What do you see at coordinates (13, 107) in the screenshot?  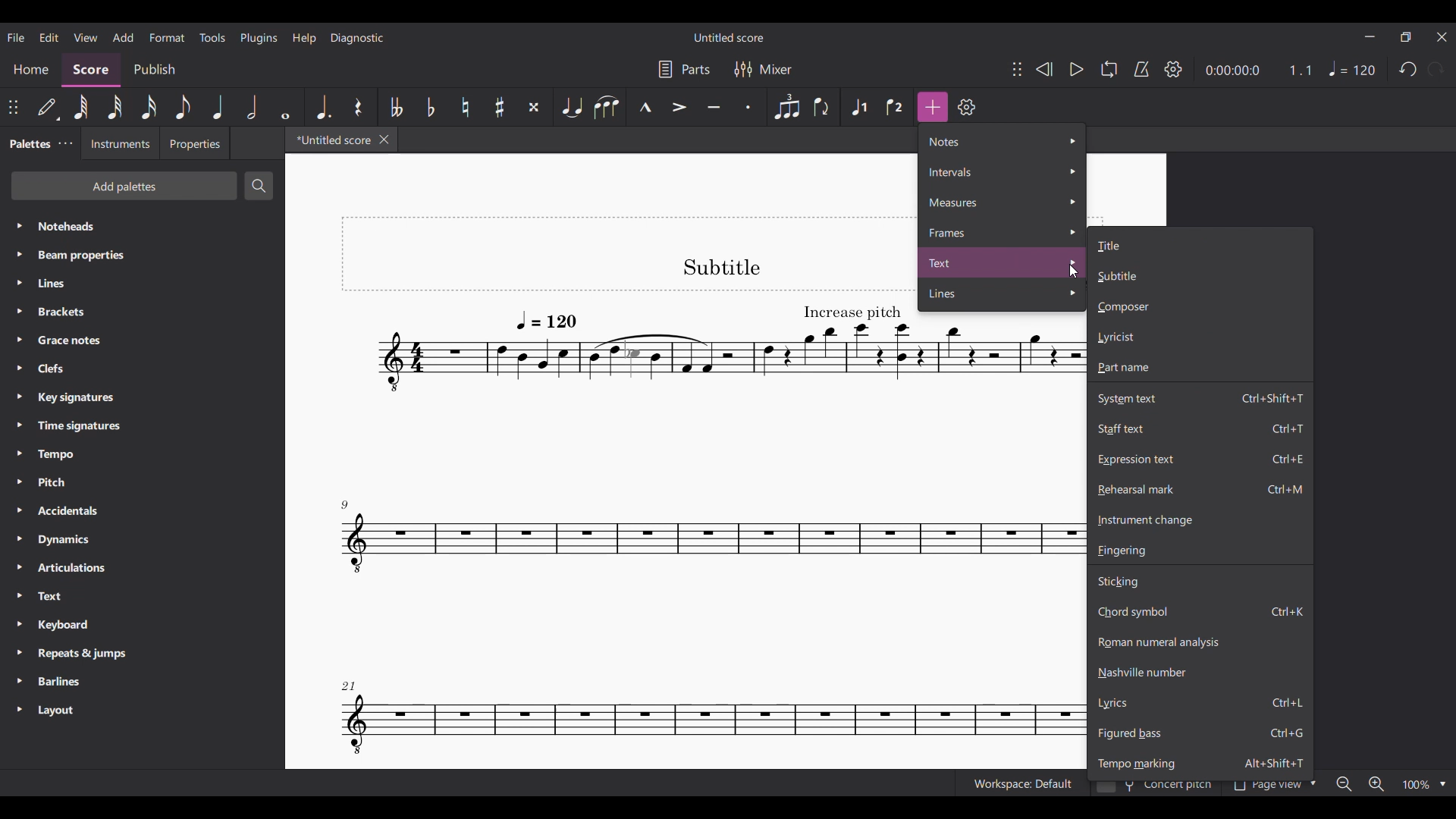 I see `Change position ` at bounding box center [13, 107].